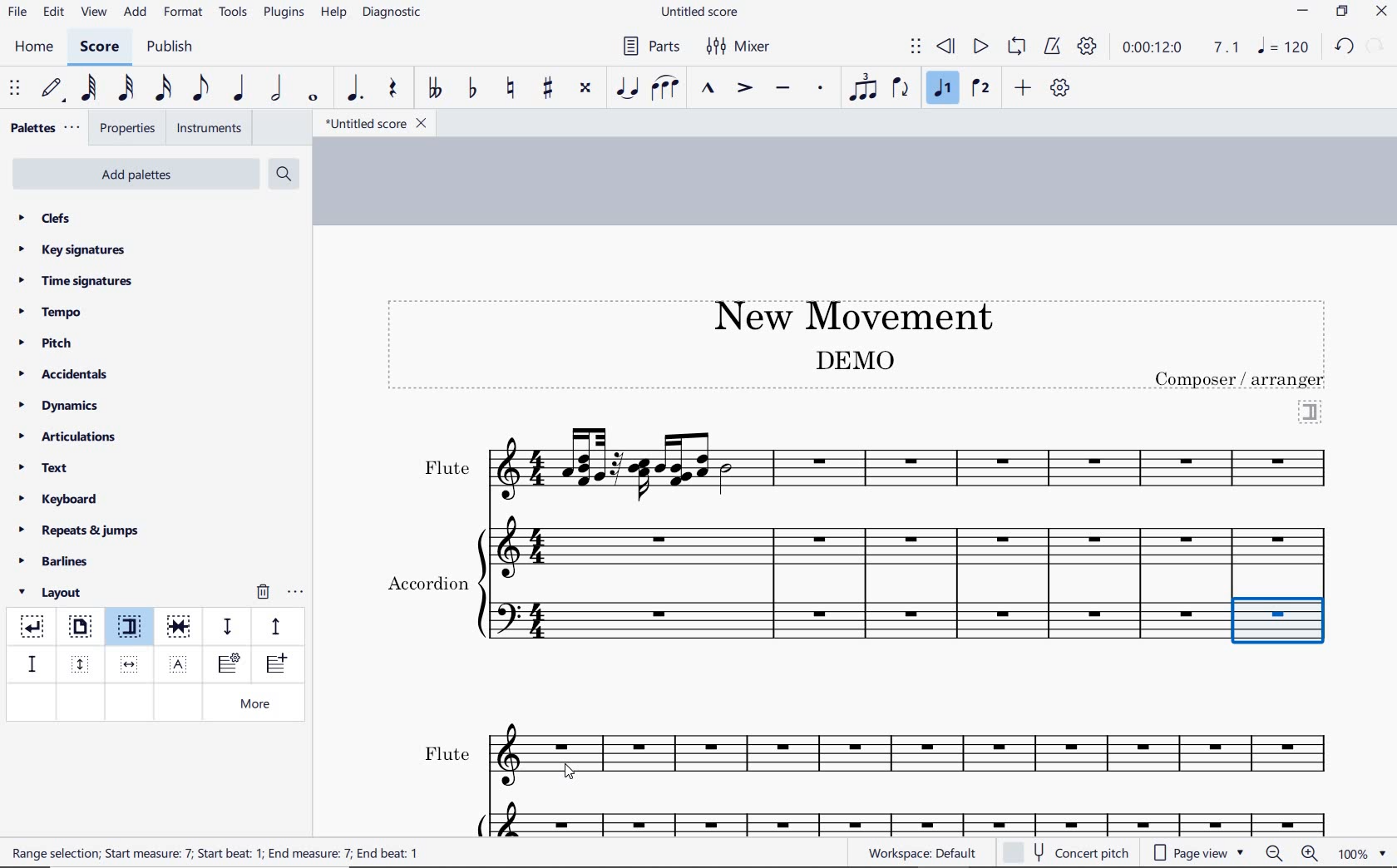  Describe the element at coordinates (259, 705) in the screenshot. I see `more` at that location.